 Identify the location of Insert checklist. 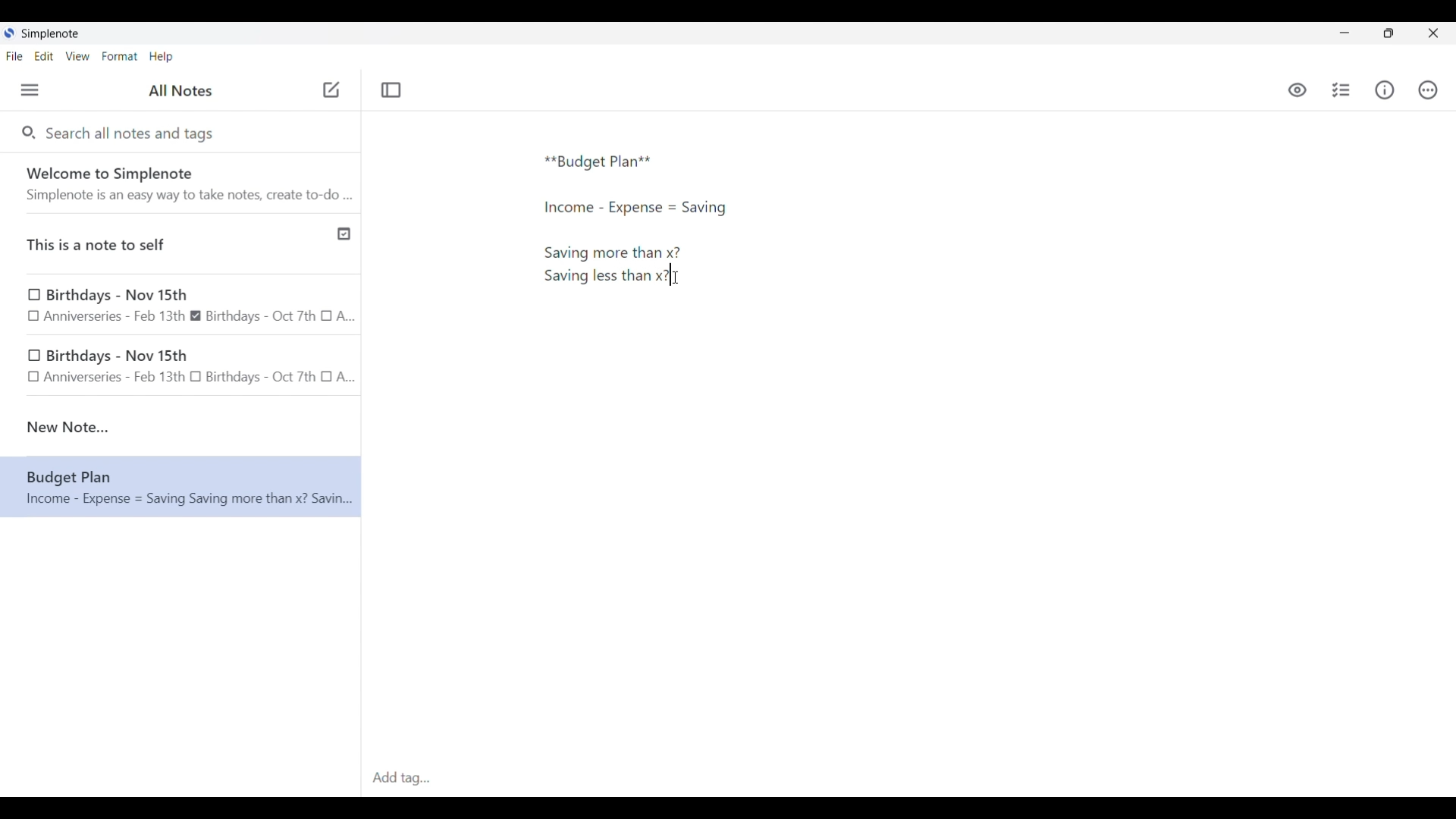
(1342, 90).